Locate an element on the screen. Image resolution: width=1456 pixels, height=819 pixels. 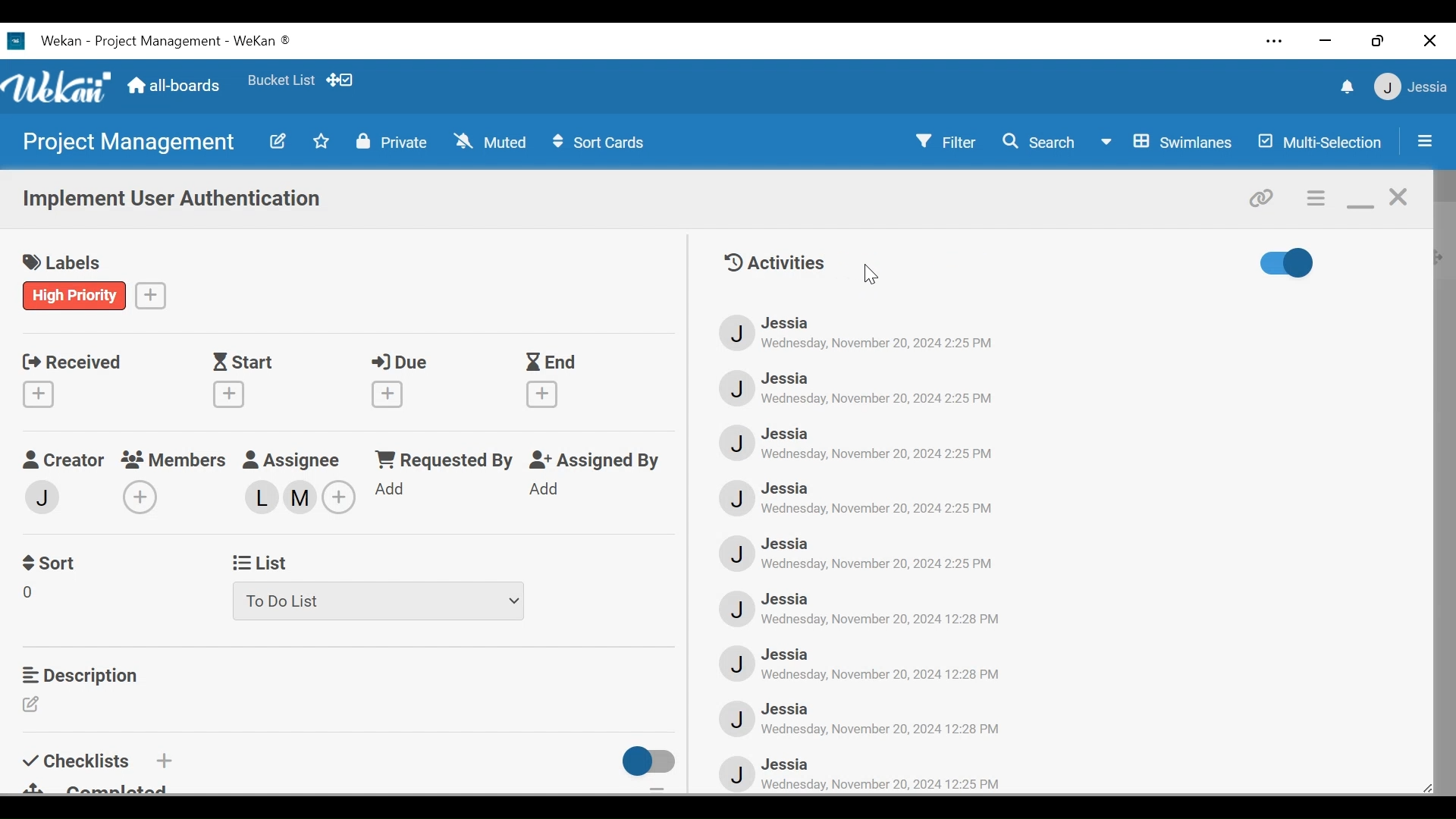
Date is located at coordinates (881, 783).